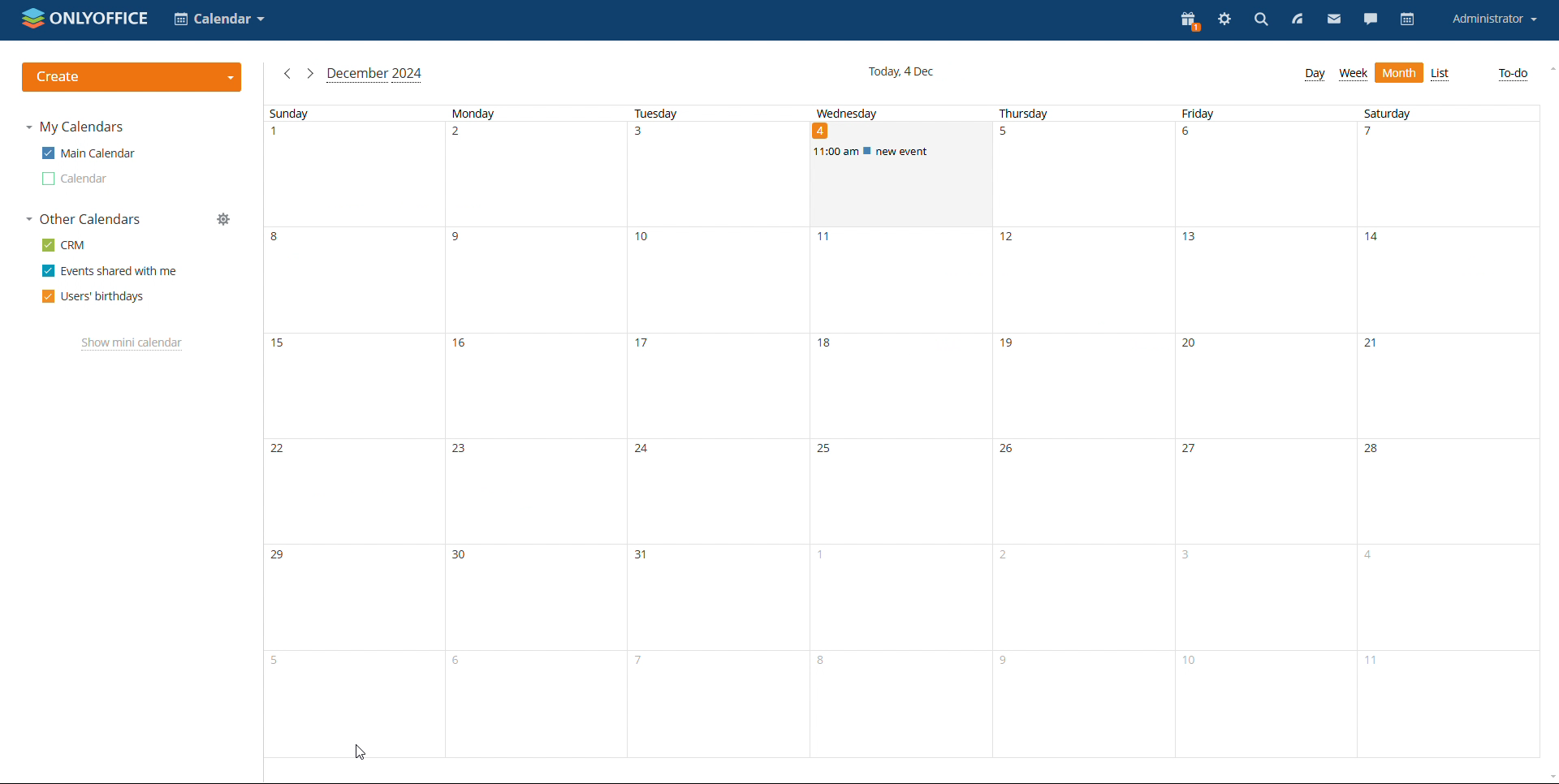 The image size is (1559, 784). I want to click on settings, so click(1223, 21).